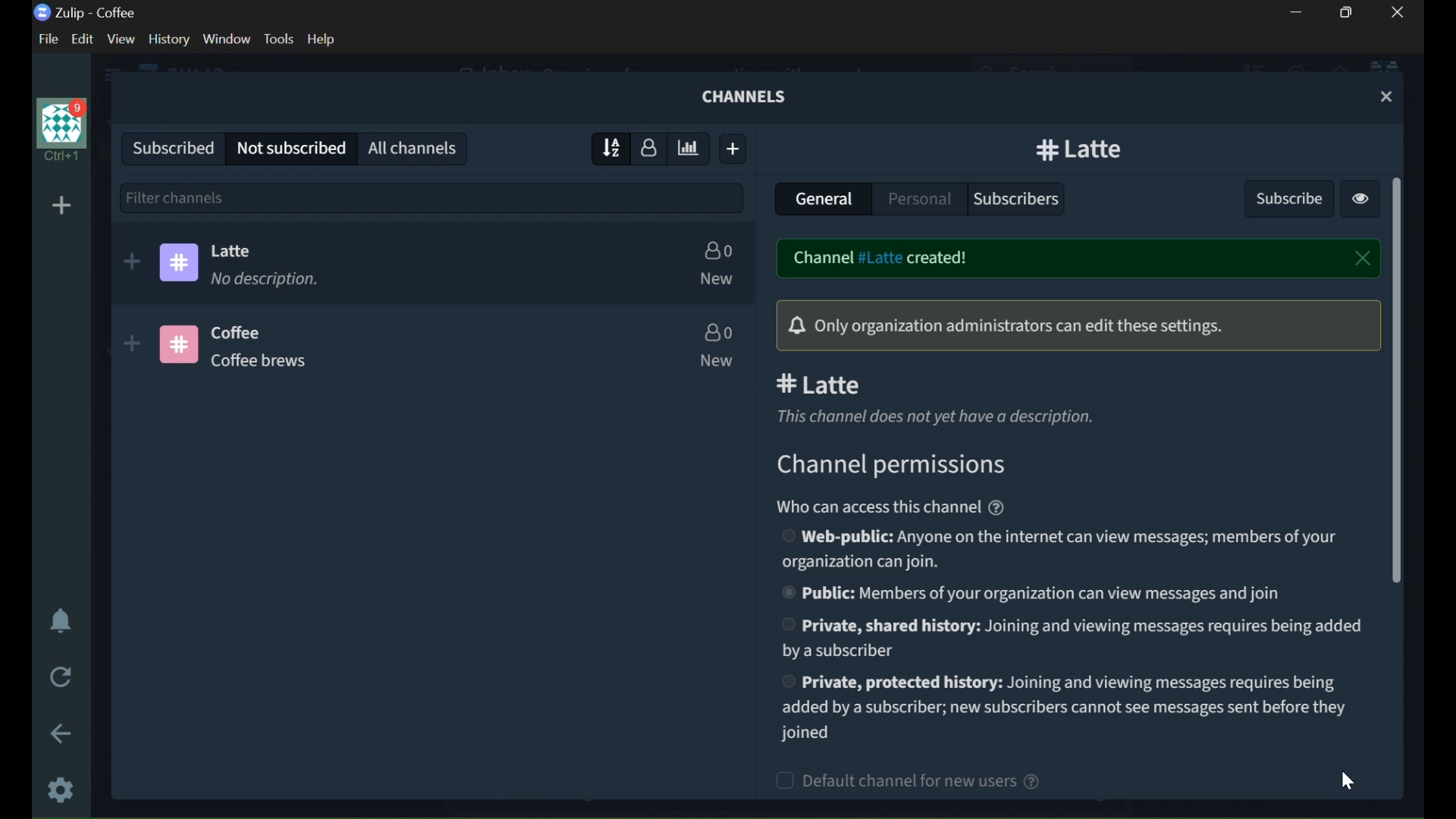 The height and width of the screenshot is (819, 1456). I want to click on ONLY ORGANIZATION ADMINISTRATORS CAN EDIT THESE SETTINGS, so click(1073, 325).